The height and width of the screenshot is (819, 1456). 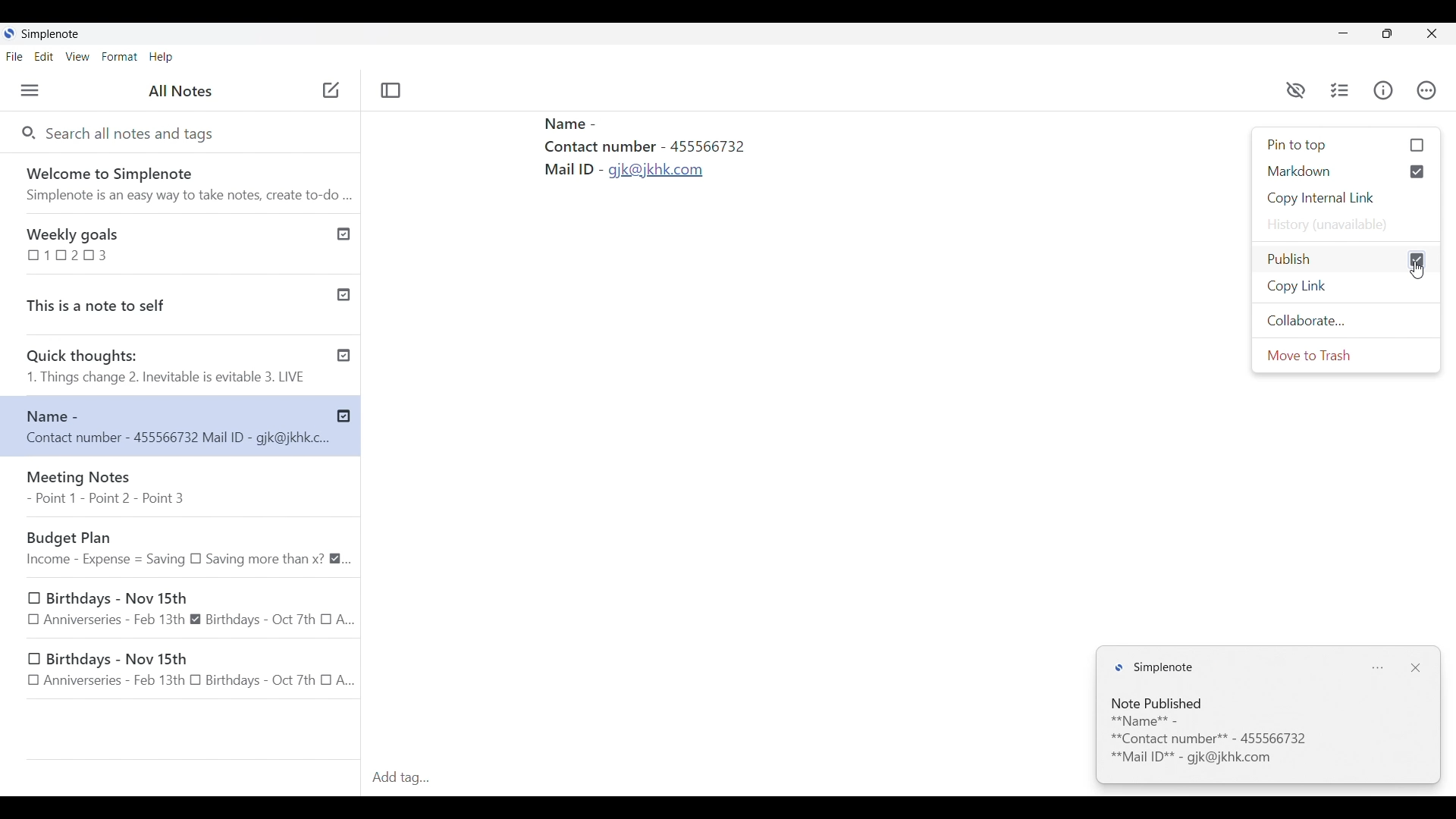 I want to click on Menu, so click(x=30, y=90).